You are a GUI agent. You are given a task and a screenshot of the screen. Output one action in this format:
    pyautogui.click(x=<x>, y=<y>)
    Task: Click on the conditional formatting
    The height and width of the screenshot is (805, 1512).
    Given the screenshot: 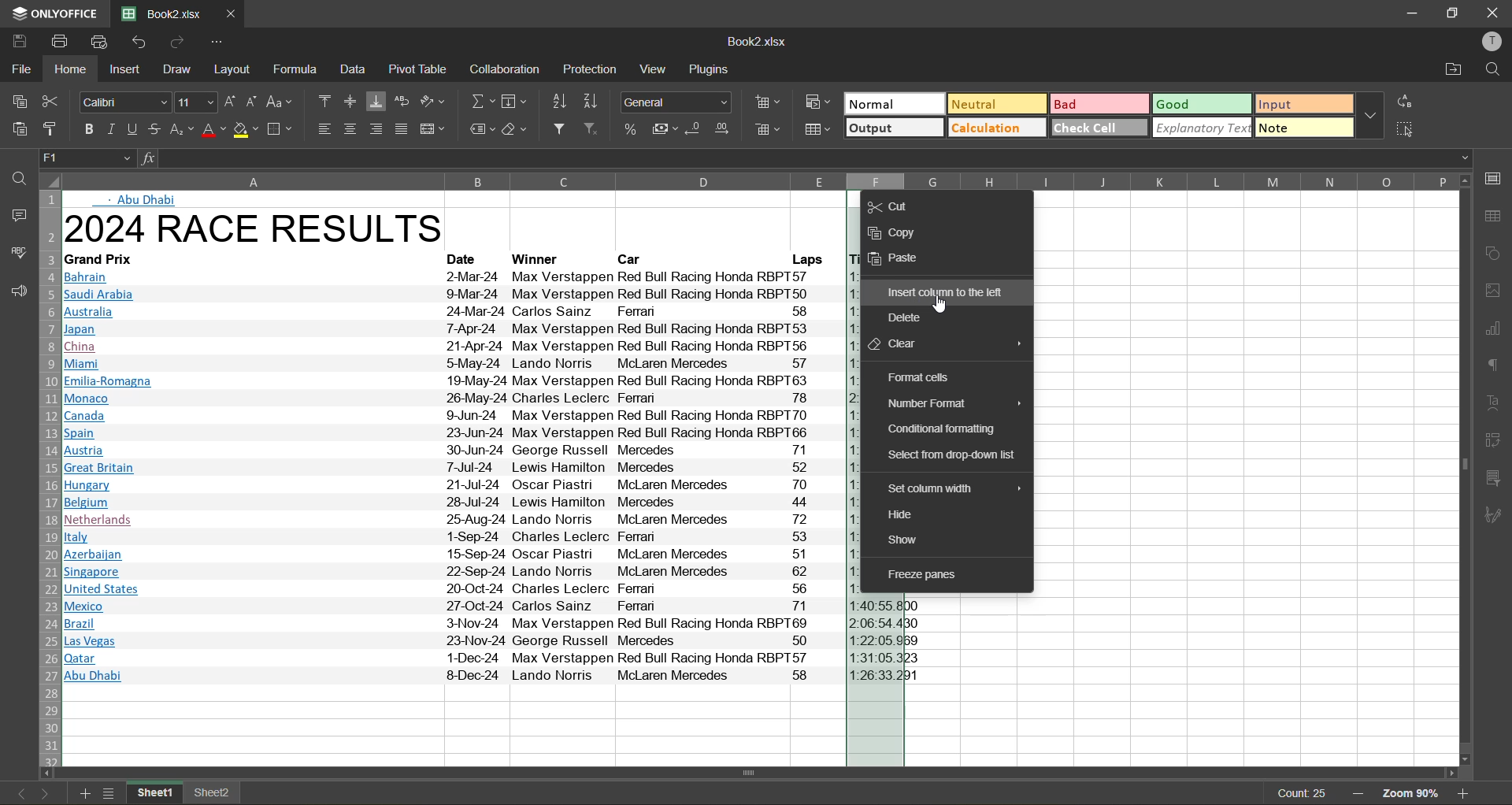 What is the action you would take?
    pyautogui.click(x=941, y=428)
    